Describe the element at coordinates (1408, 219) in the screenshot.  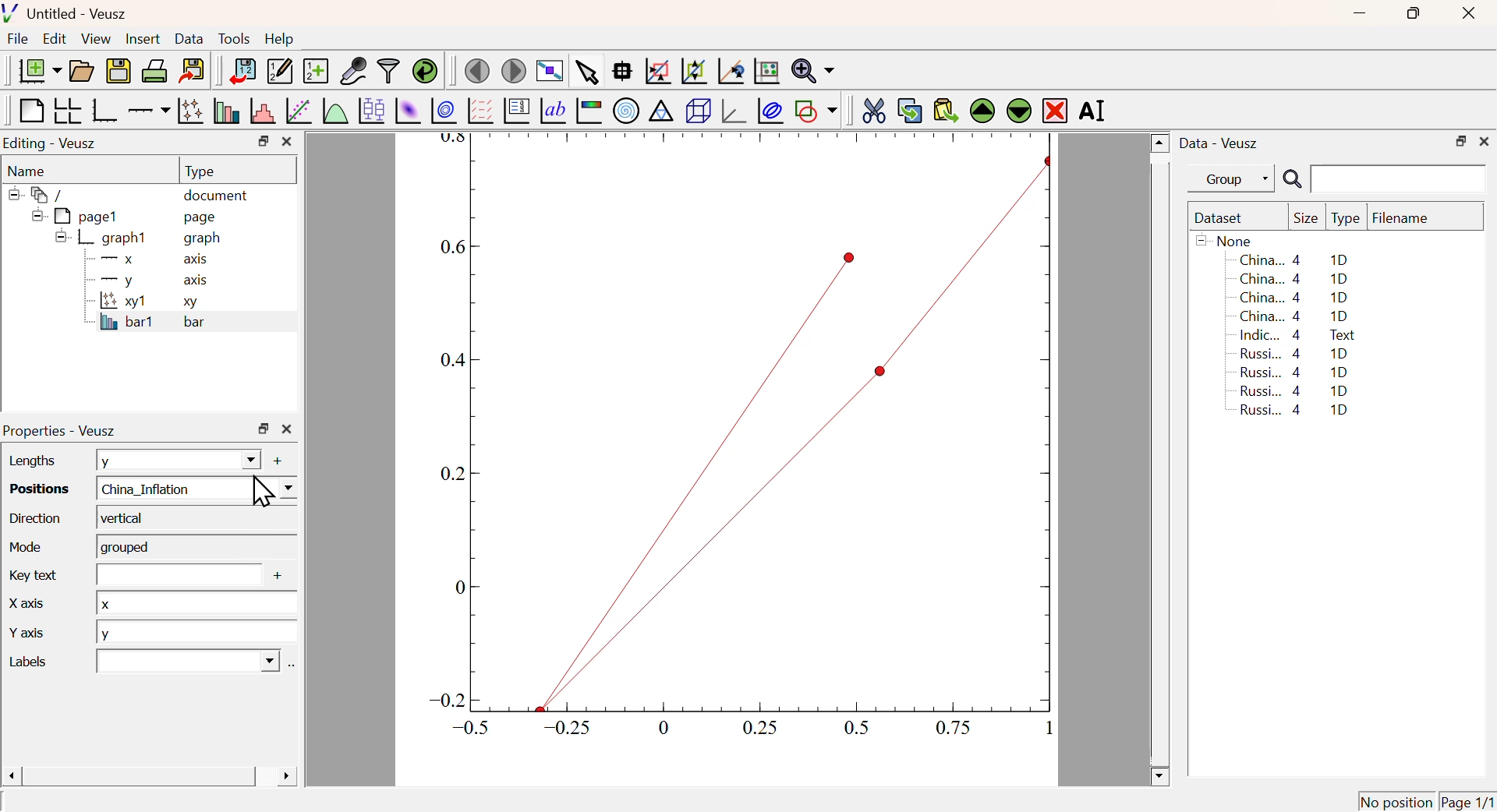
I see `Filename` at that location.